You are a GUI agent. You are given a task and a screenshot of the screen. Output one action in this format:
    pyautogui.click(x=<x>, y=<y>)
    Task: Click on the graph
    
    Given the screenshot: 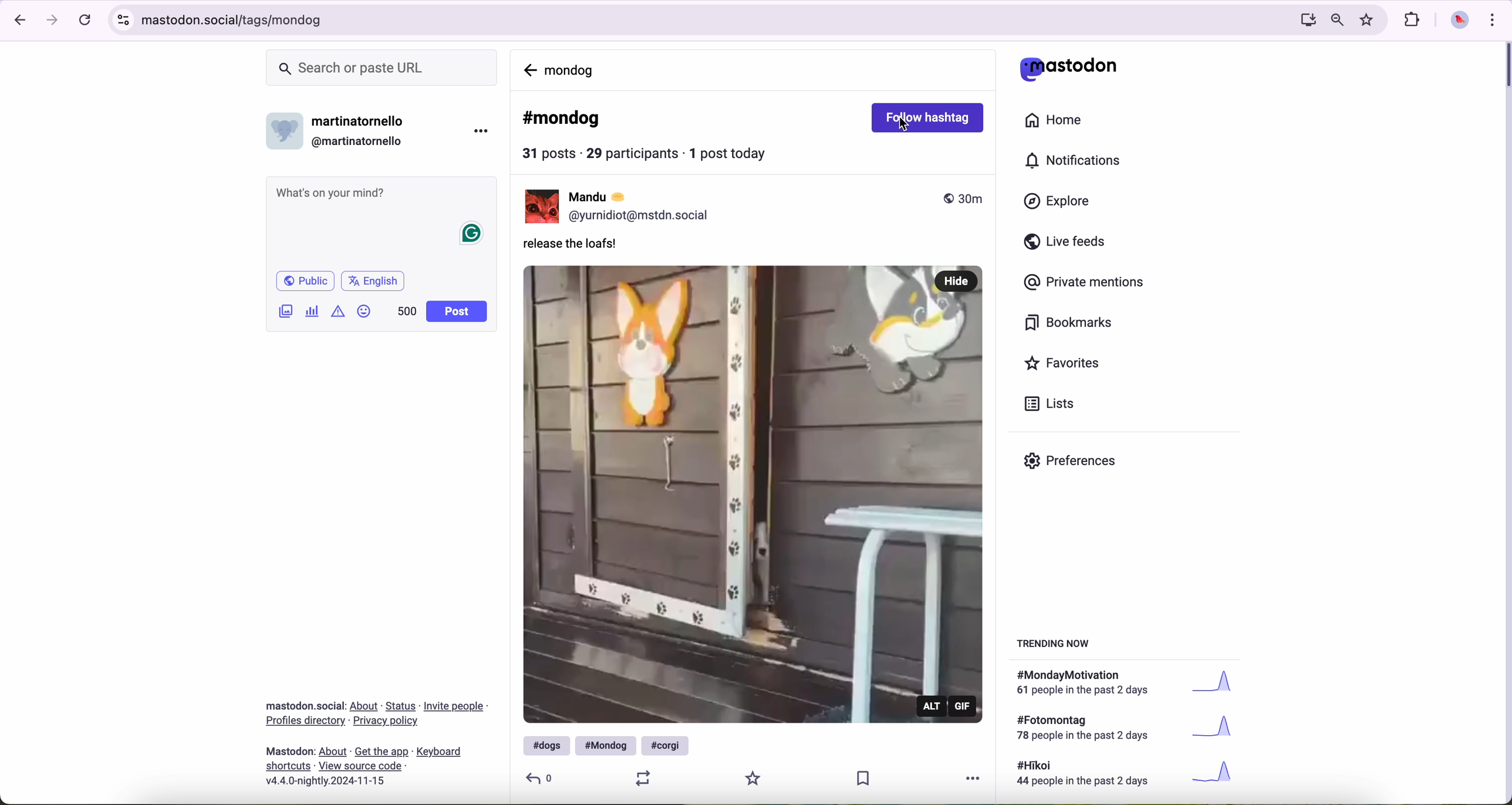 What is the action you would take?
    pyautogui.click(x=1219, y=730)
    